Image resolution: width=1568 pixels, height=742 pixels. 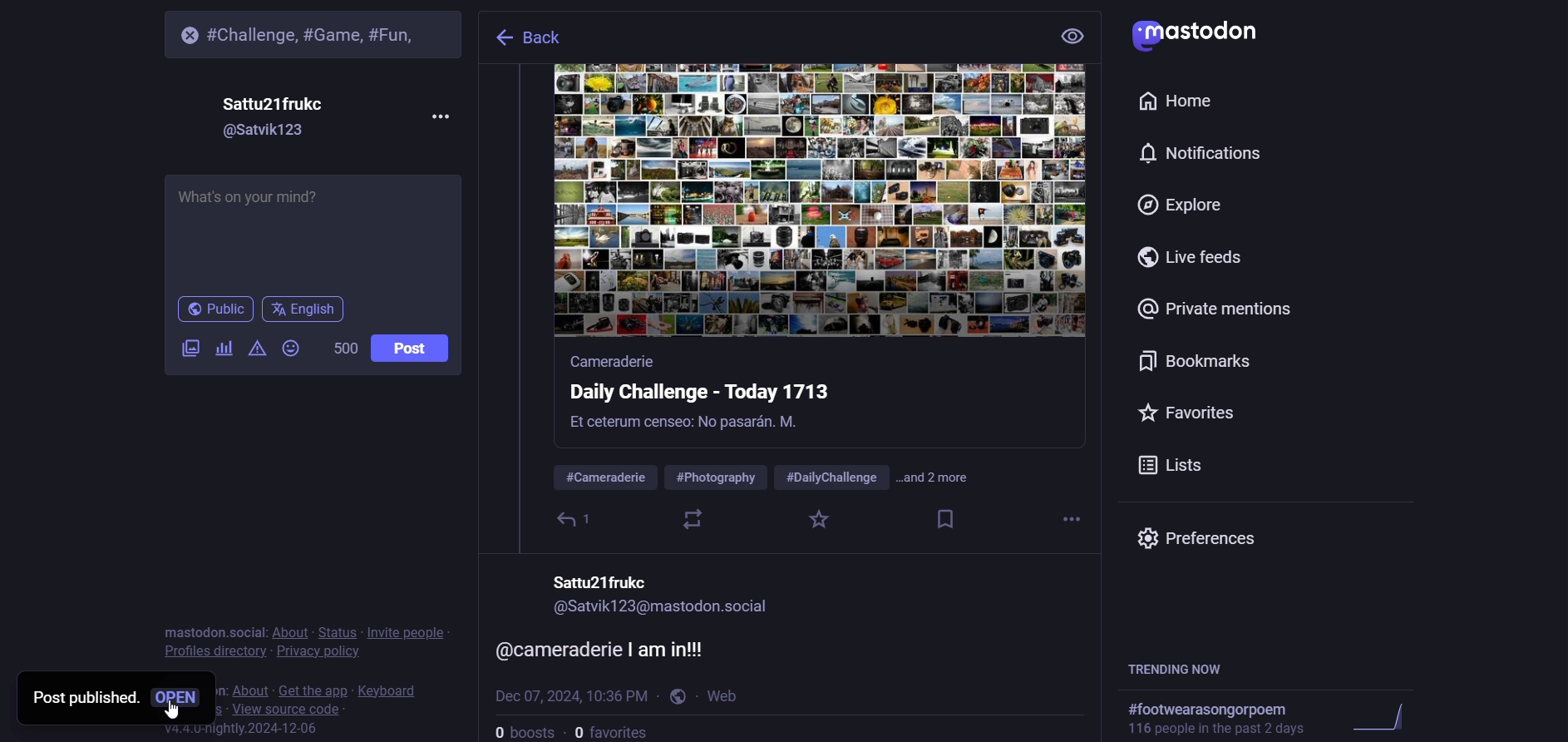 I want to click on now, so click(x=728, y=694).